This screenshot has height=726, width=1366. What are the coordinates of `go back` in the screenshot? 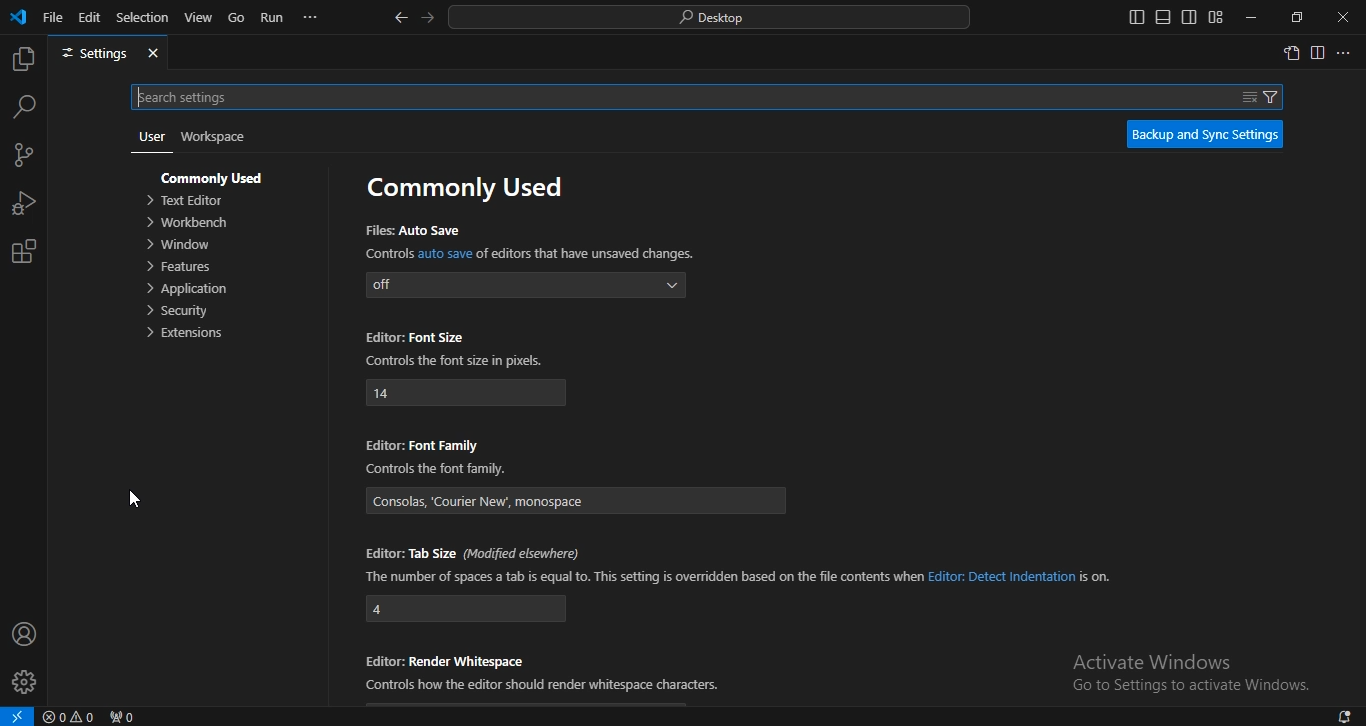 It's located at (402, 18).